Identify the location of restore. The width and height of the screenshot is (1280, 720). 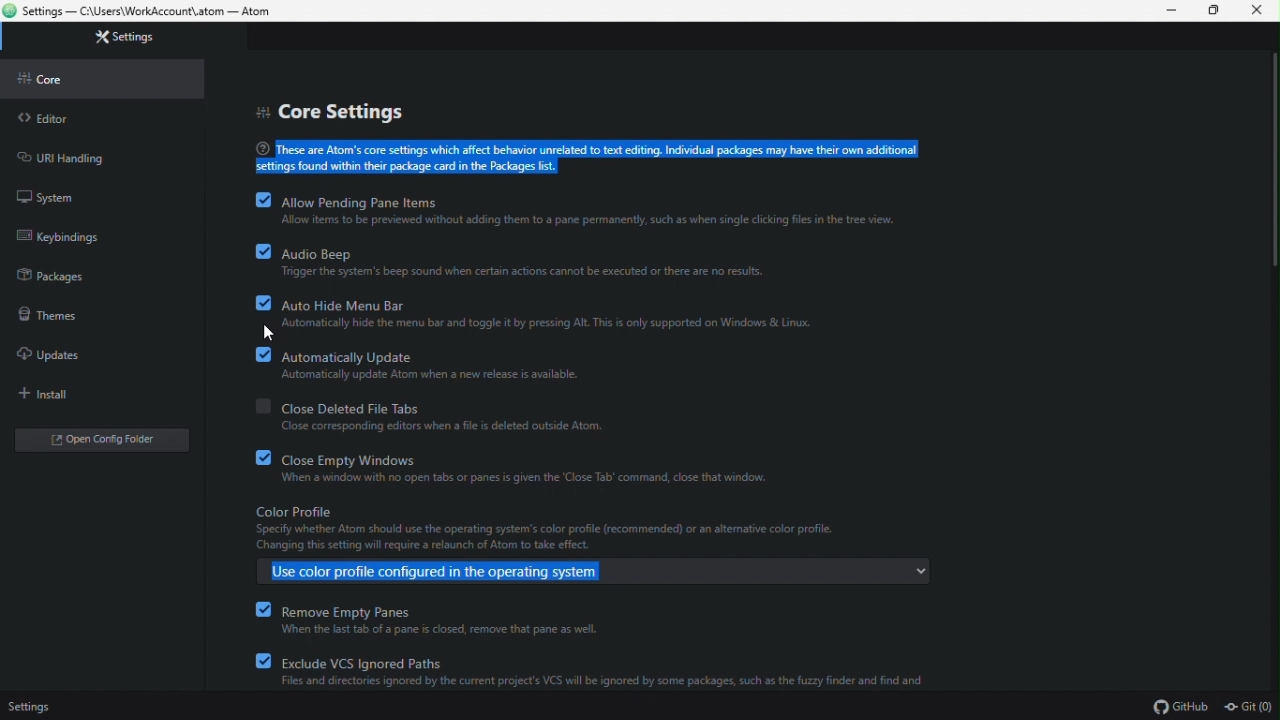
(1214, 11).